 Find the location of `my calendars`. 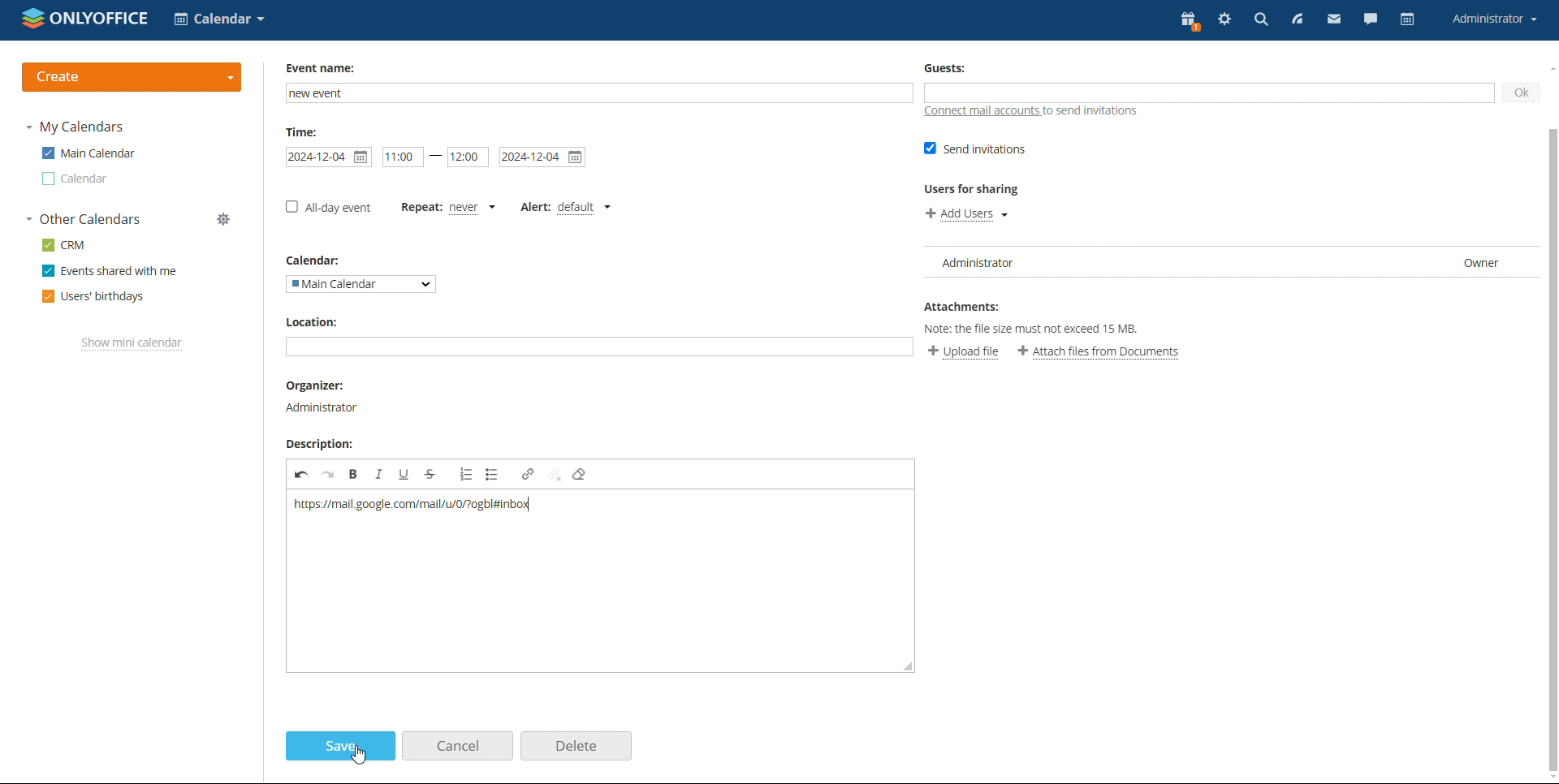

my calendars is located at coordinates (76, 127).